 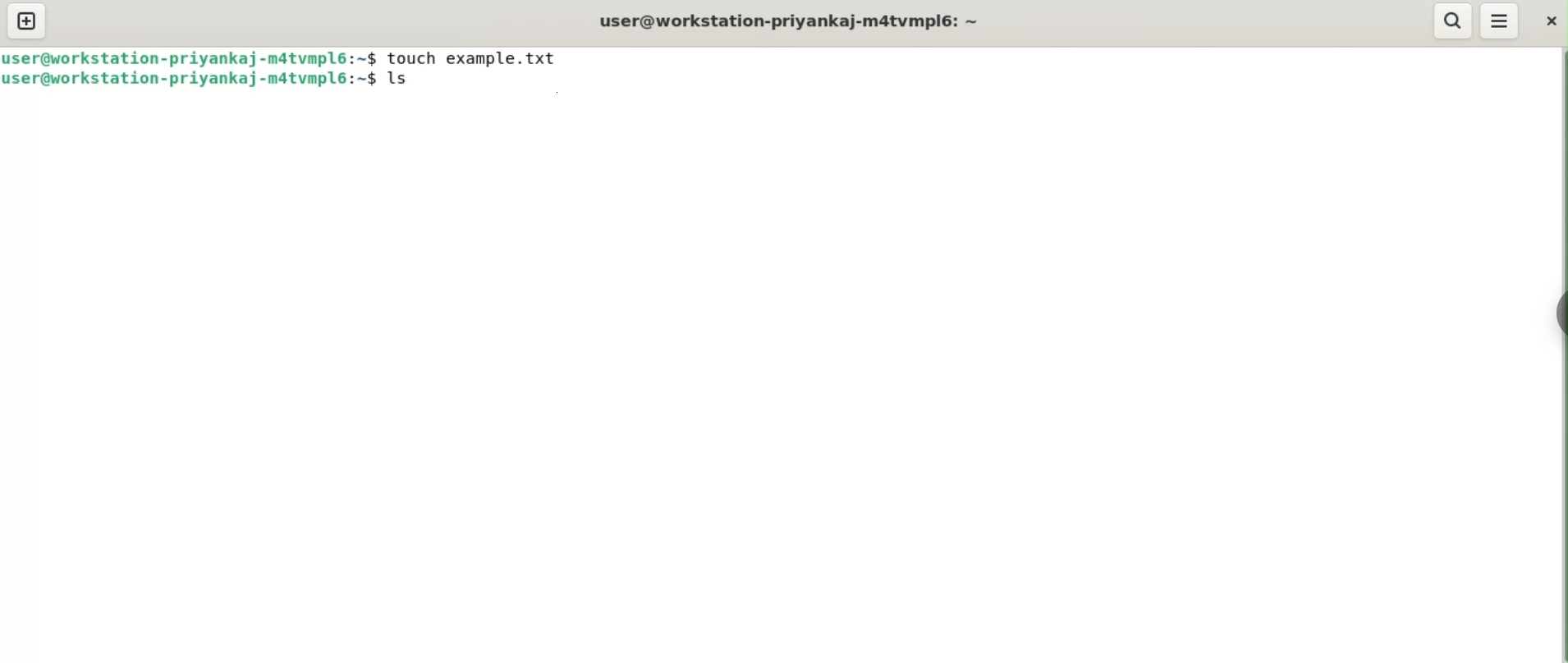 What do you see at coordinates (28, 22) in the screenshot?
I see `new tab` at bounding box center [28, 22].